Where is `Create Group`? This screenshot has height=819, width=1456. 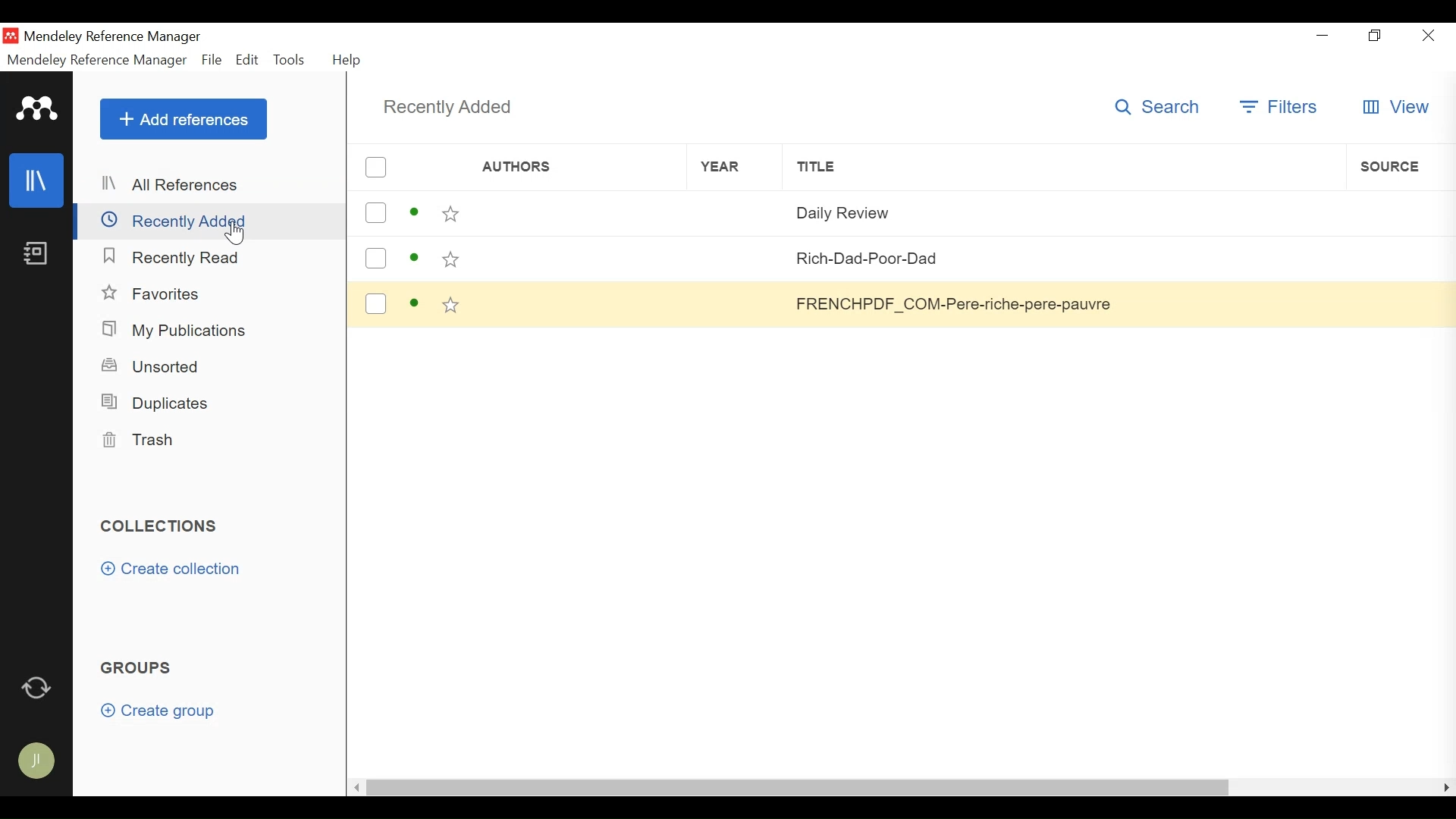 Create Group is located at coordinates (158, 712).